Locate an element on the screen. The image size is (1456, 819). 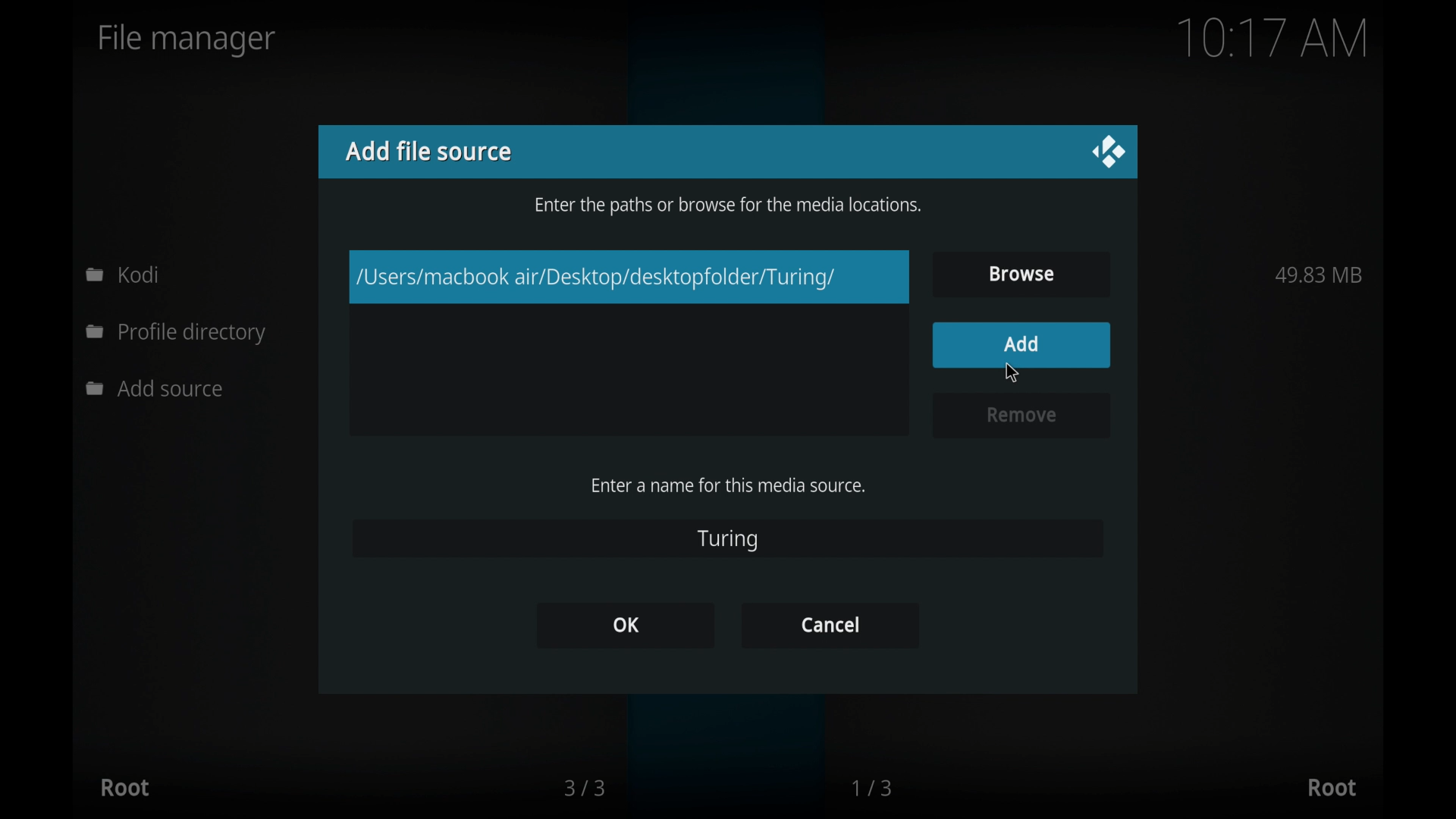
add is located at coordinates (1021, 344).